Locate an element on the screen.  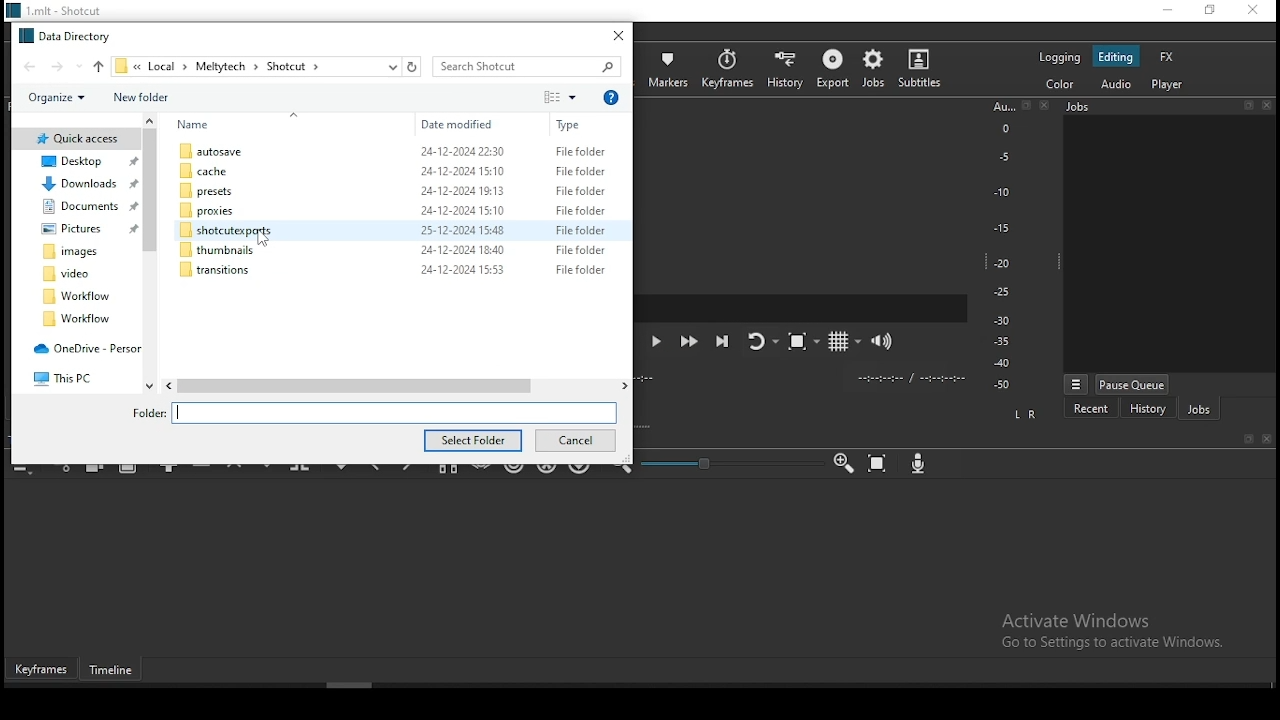
zoom timeline is located at coordinates (843, 463).